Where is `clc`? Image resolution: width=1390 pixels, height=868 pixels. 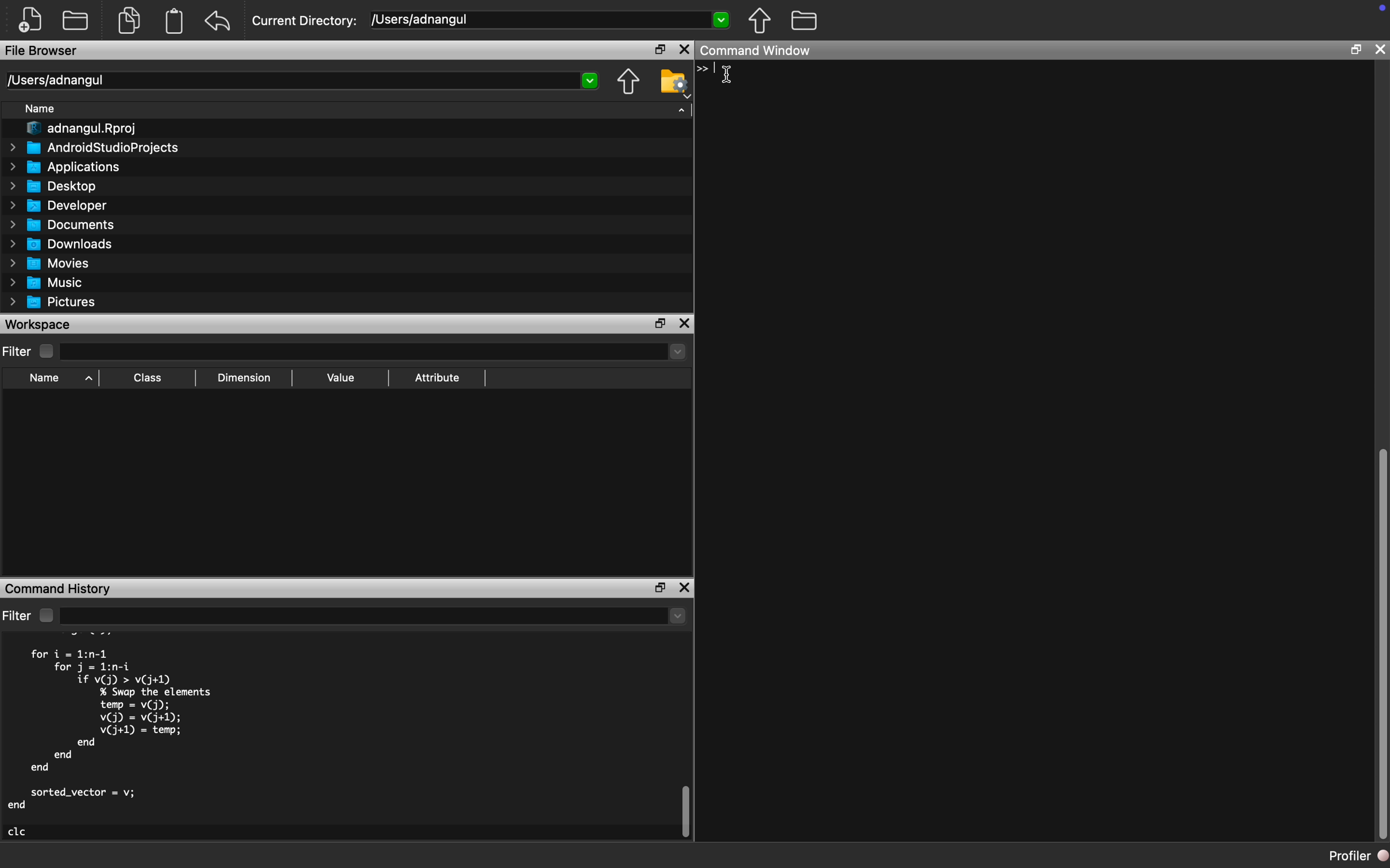
clc is located at coordinates (18, 832).